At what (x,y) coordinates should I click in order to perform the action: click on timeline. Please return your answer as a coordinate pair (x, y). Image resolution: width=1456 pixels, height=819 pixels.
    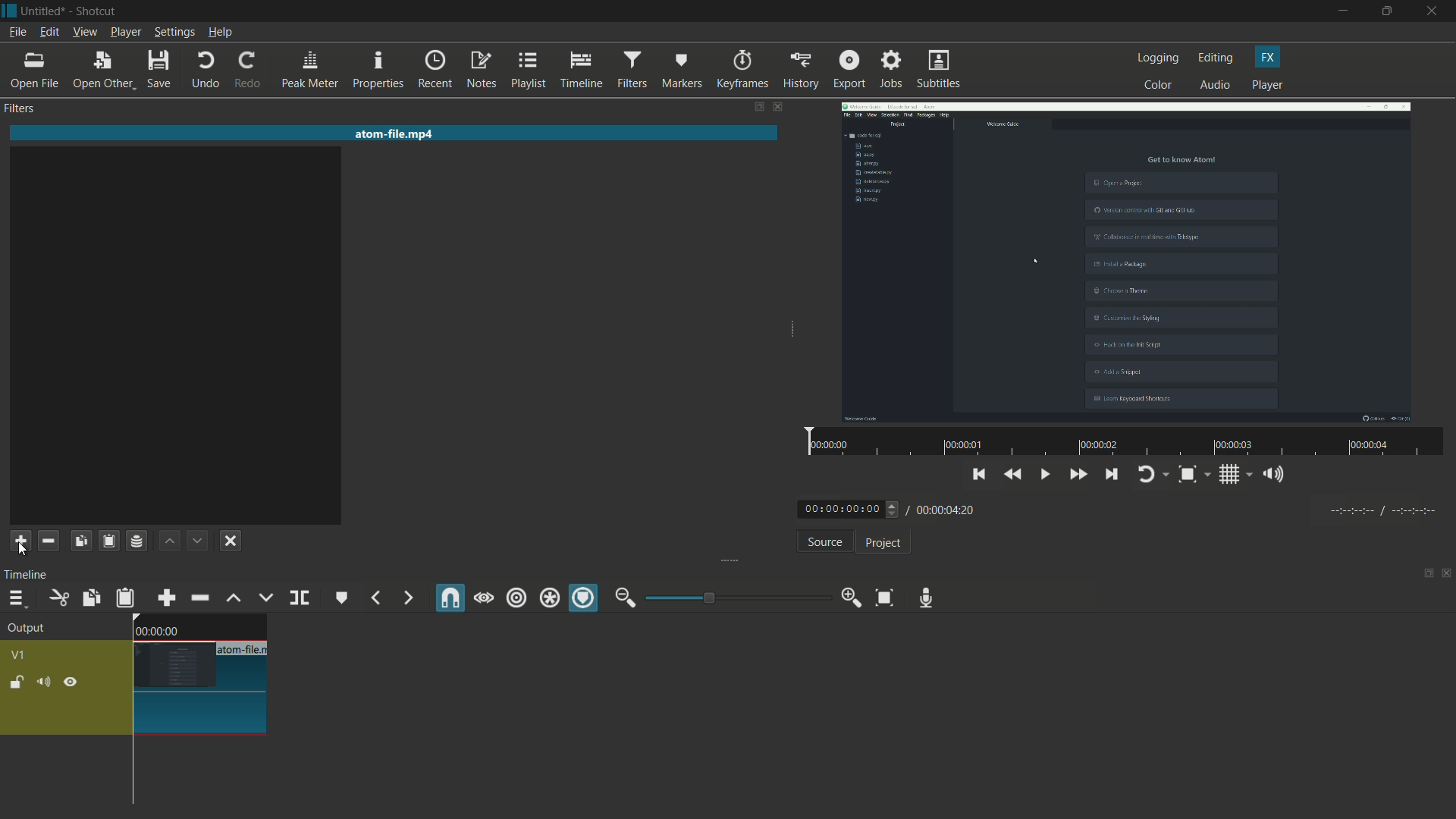
    Looking at the image, I should click on (582, 71).